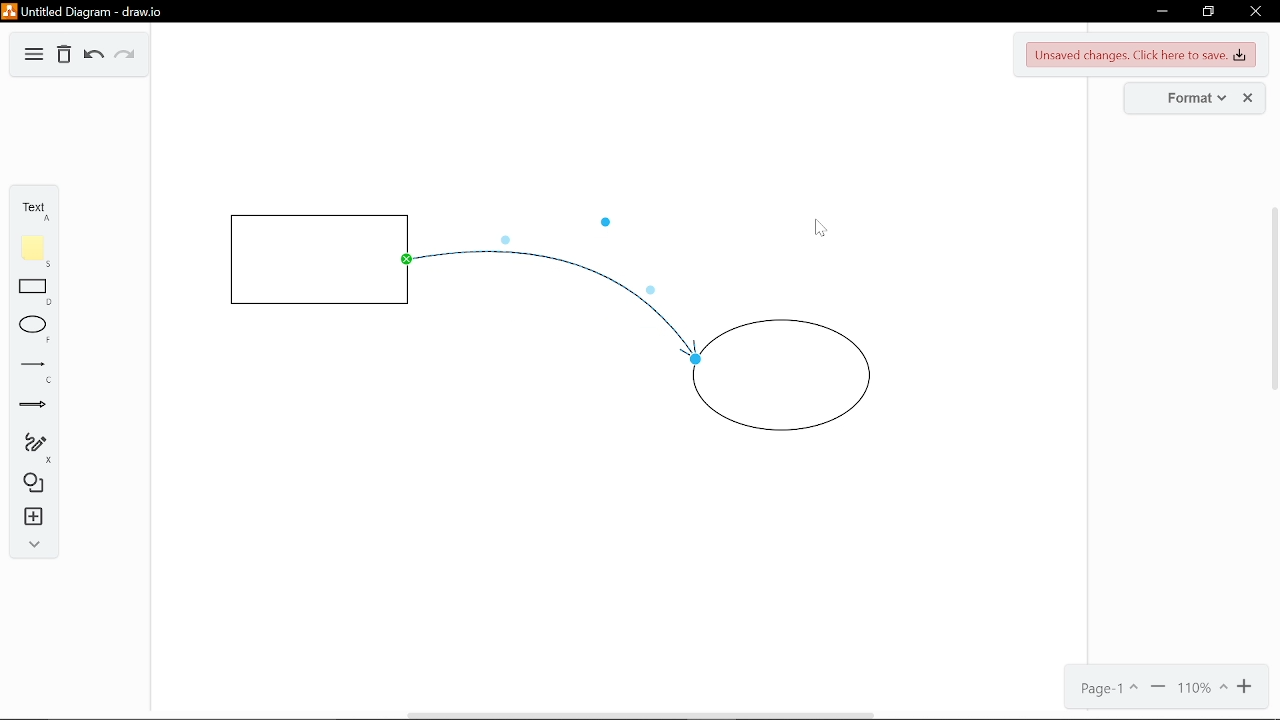 The width and height of the screenshot is (1280, 720). What do you see at coordinates (1111, 689) in the screenshot?
I see `Current page(Page 1)` at bounding box center [1111, 689].